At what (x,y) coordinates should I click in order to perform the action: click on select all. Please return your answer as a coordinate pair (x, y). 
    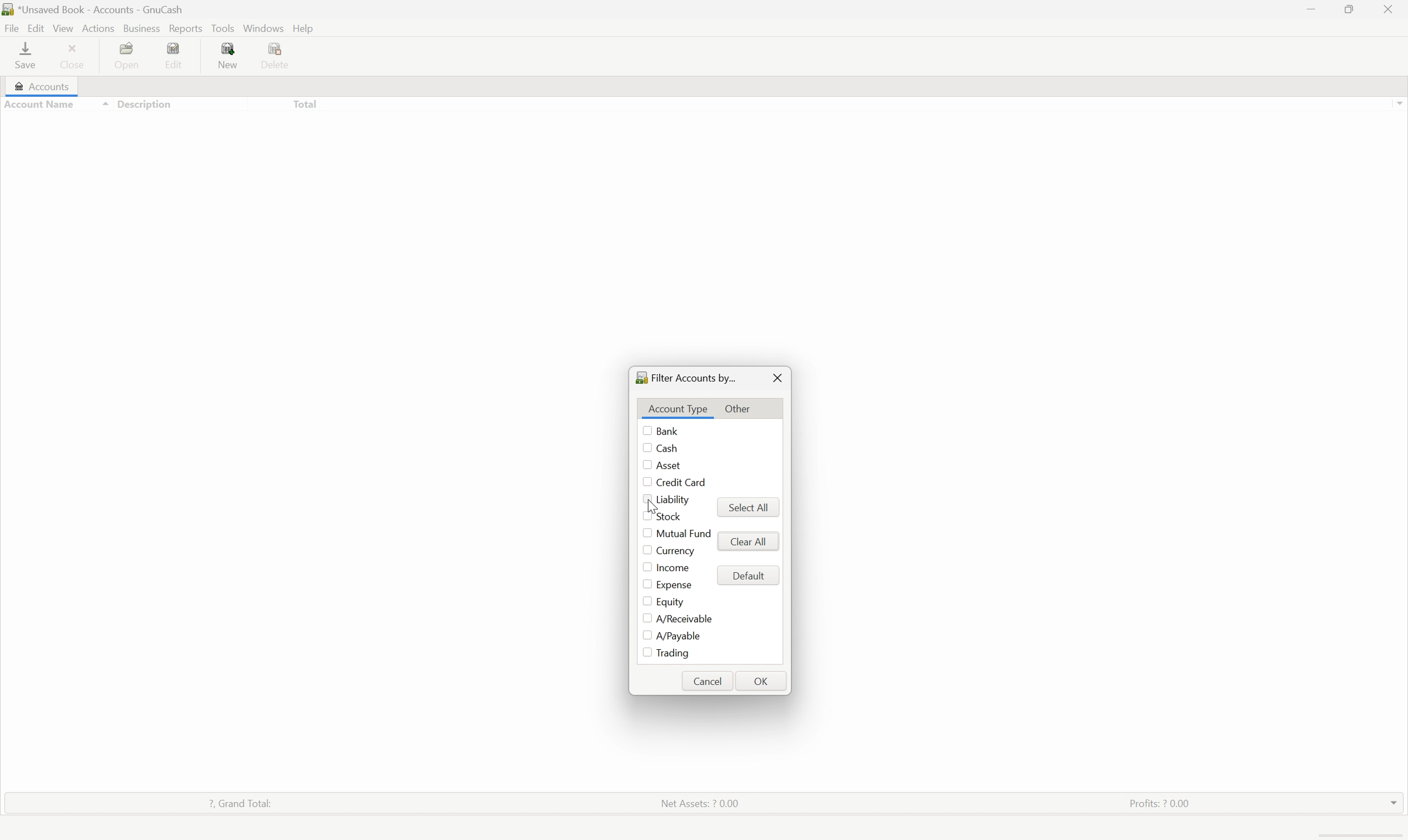
    Looking at the image, I should click on (751, 505).